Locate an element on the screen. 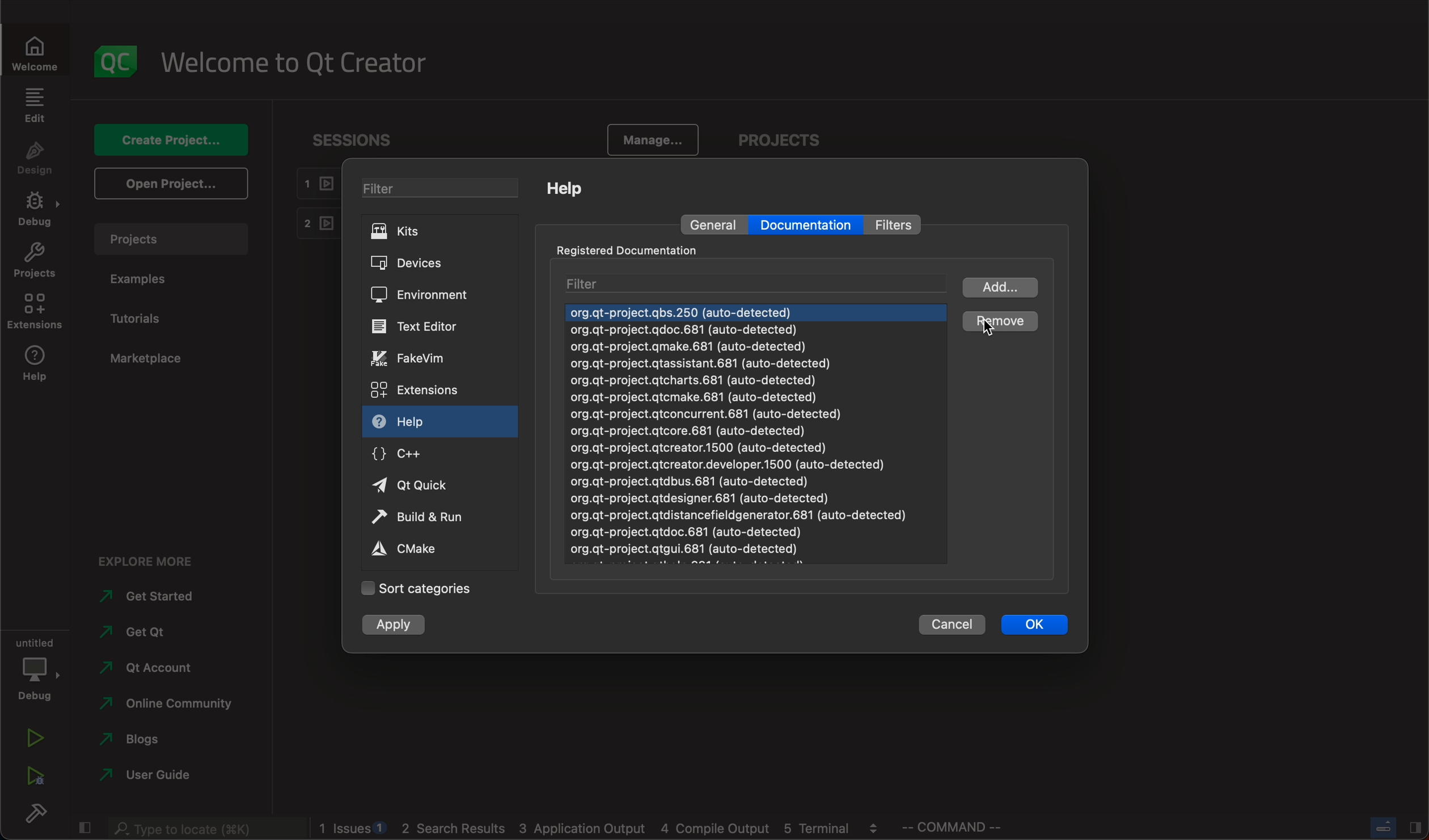 The height and width of the screenshot is (840, 1429). account is located at coordinates (150, 669).